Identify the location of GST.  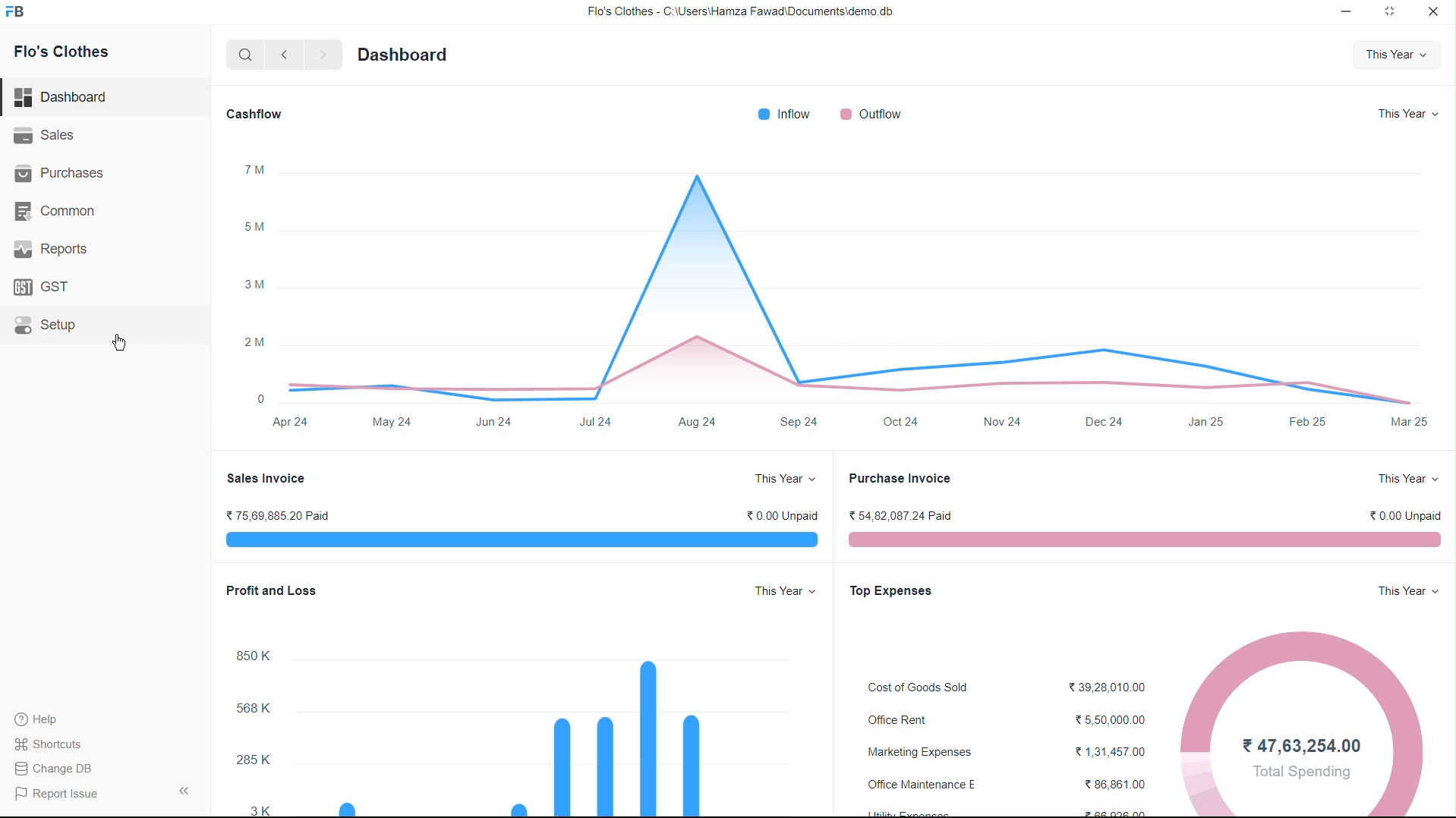
(47, 283).